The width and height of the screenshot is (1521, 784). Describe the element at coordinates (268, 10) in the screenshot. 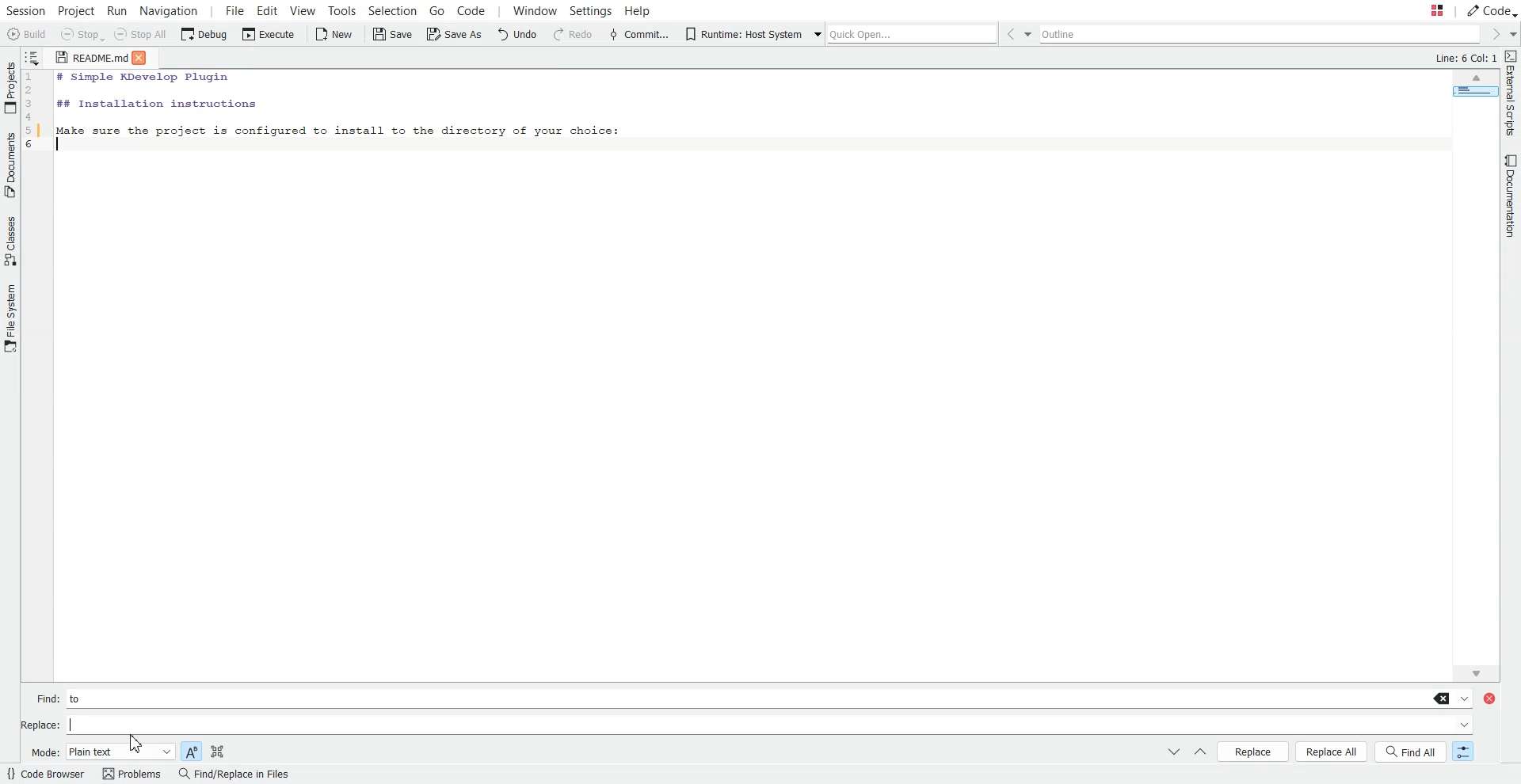

I see `Edit` at that location.